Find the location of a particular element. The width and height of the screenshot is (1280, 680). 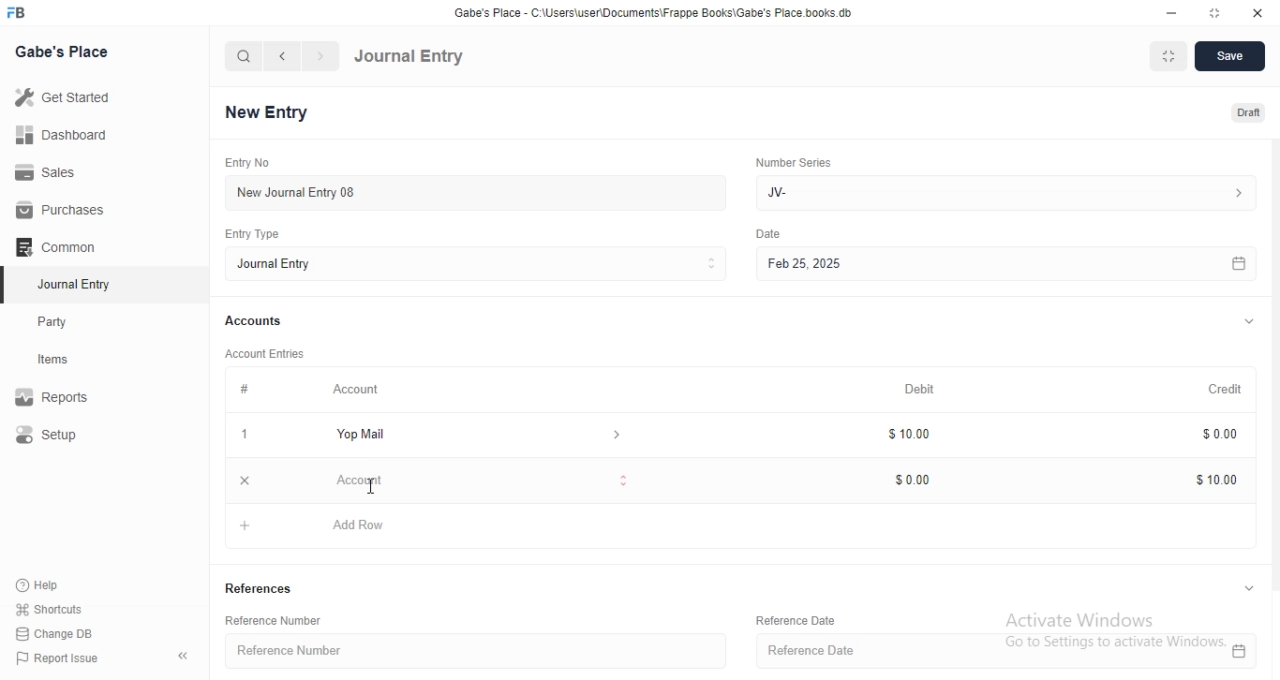

$0.00 is located at coordinates (921, 479).